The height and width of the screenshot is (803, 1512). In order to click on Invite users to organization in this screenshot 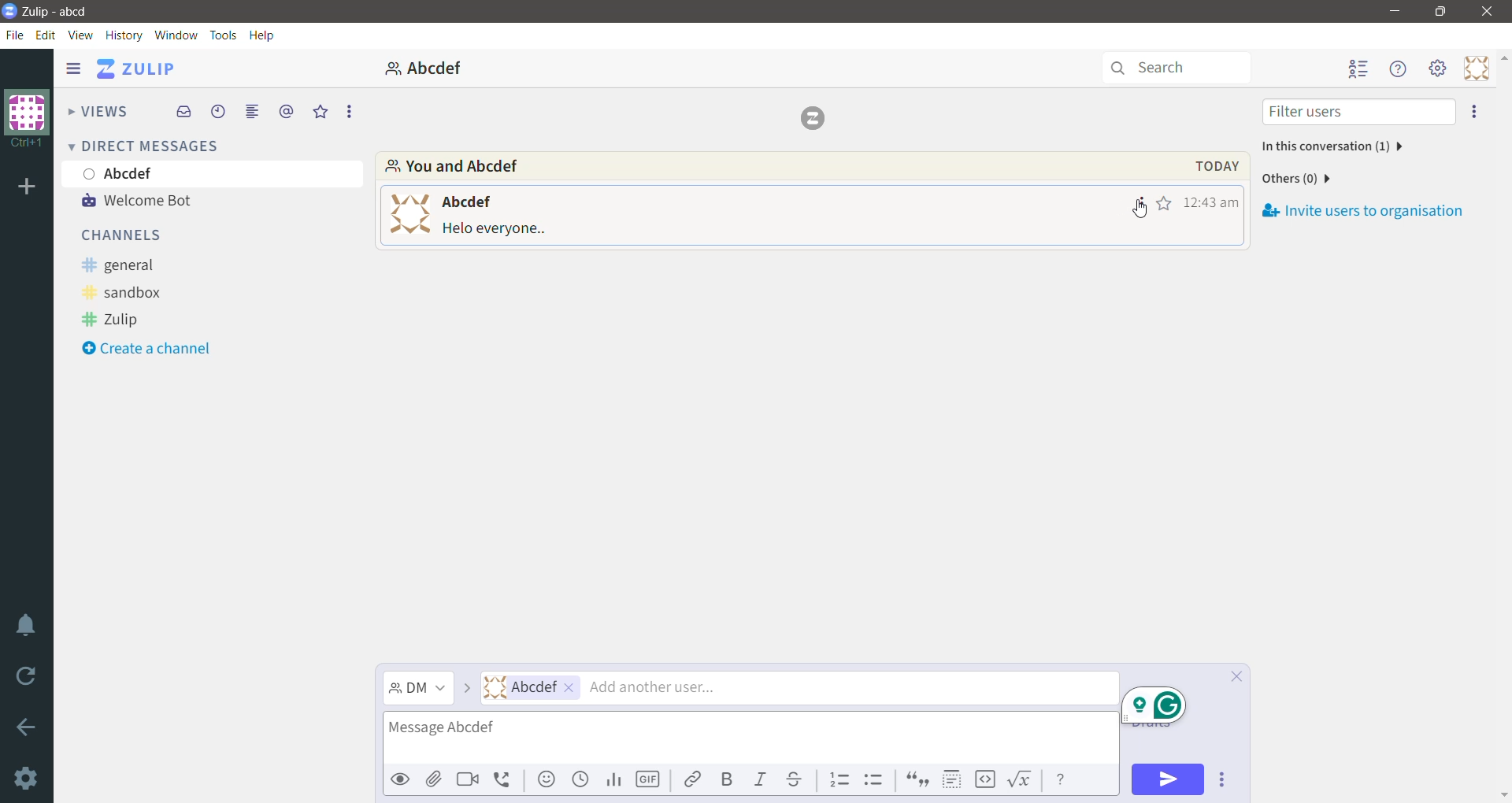, I will do `click(1475, 113)`.